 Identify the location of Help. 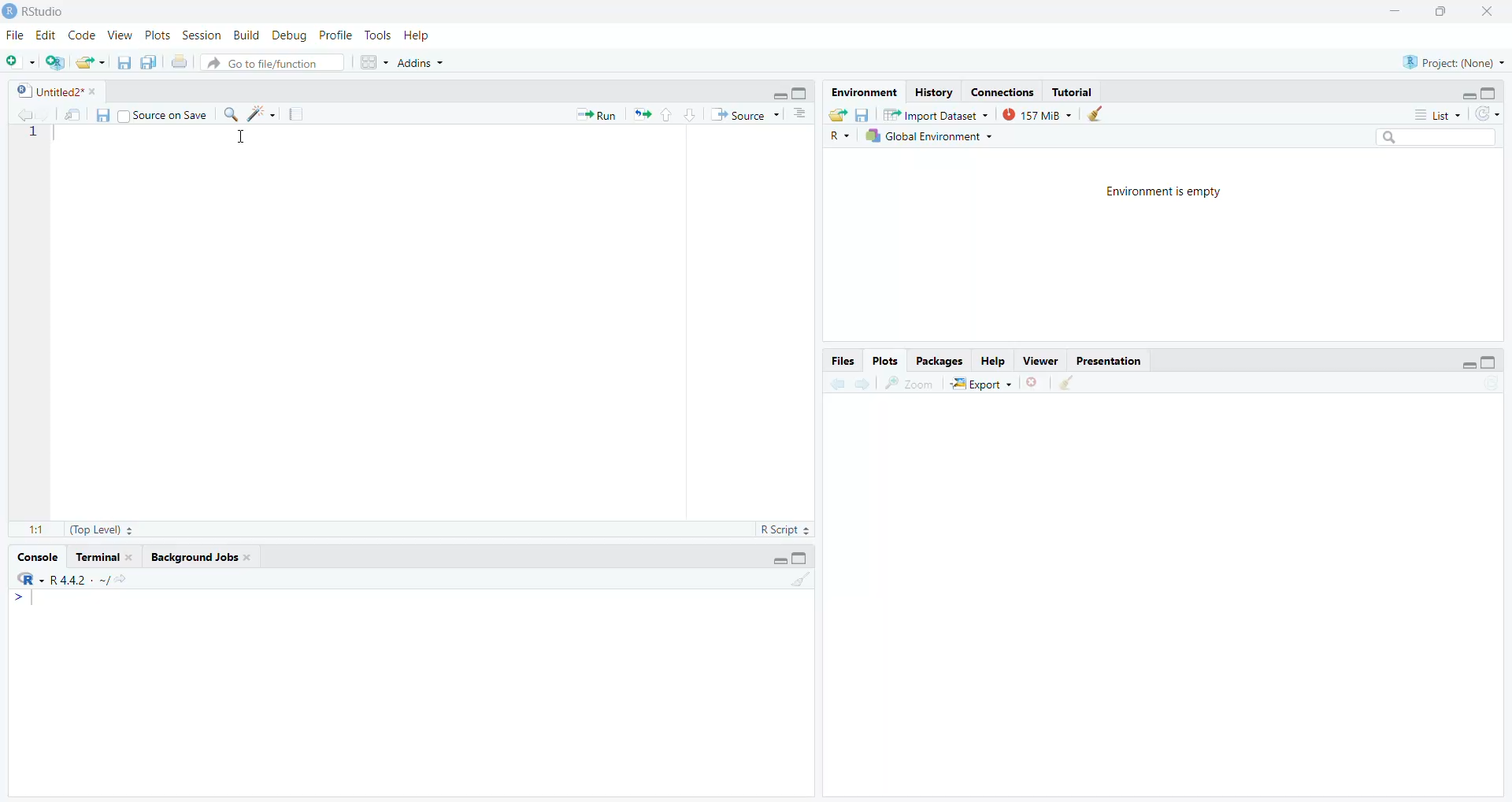
(421, 35).